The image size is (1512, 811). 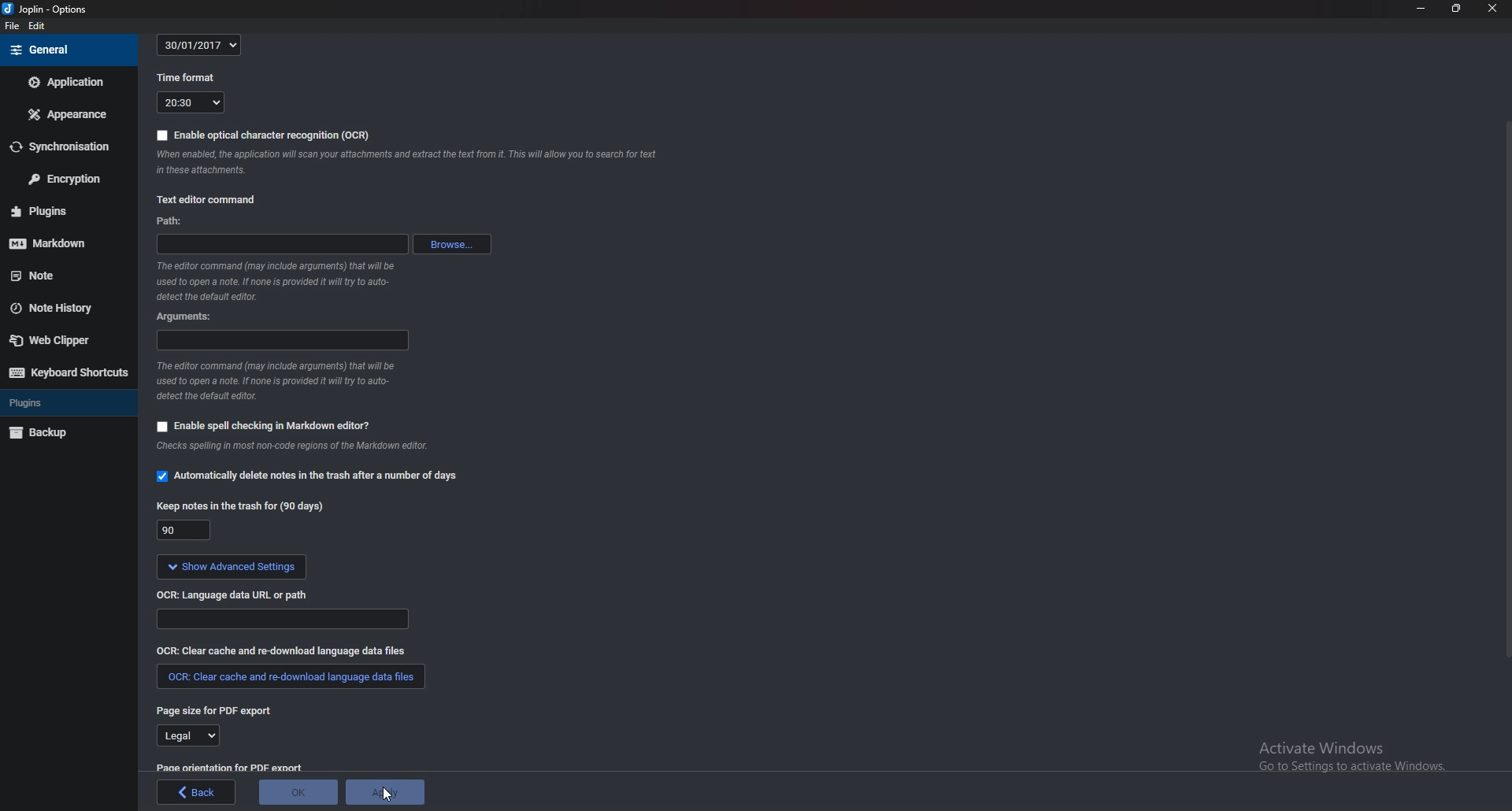 I want to click on Info, so click(x=410, y=162).